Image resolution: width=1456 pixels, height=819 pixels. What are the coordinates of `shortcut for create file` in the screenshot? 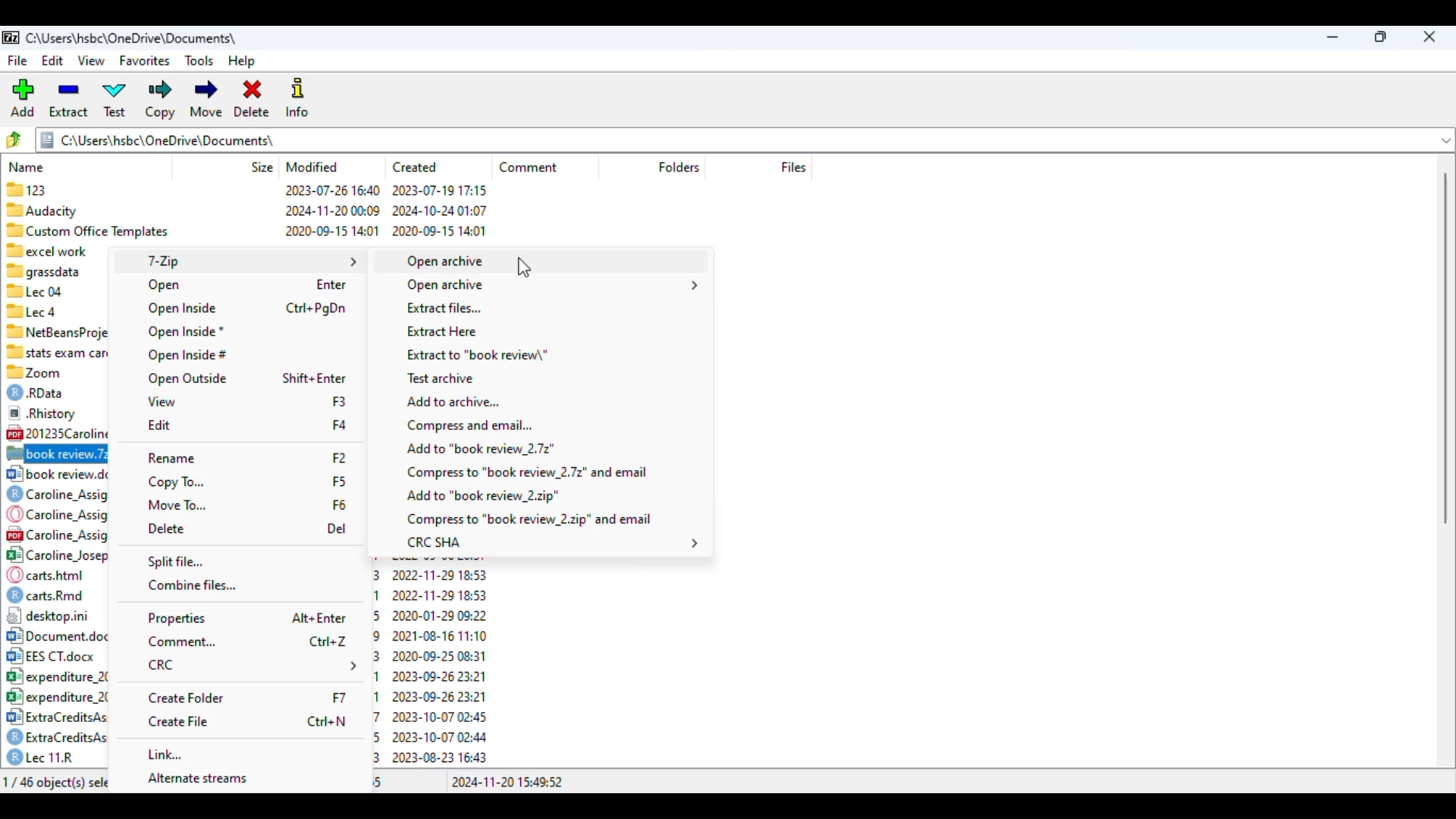 It's located at (328, 720).